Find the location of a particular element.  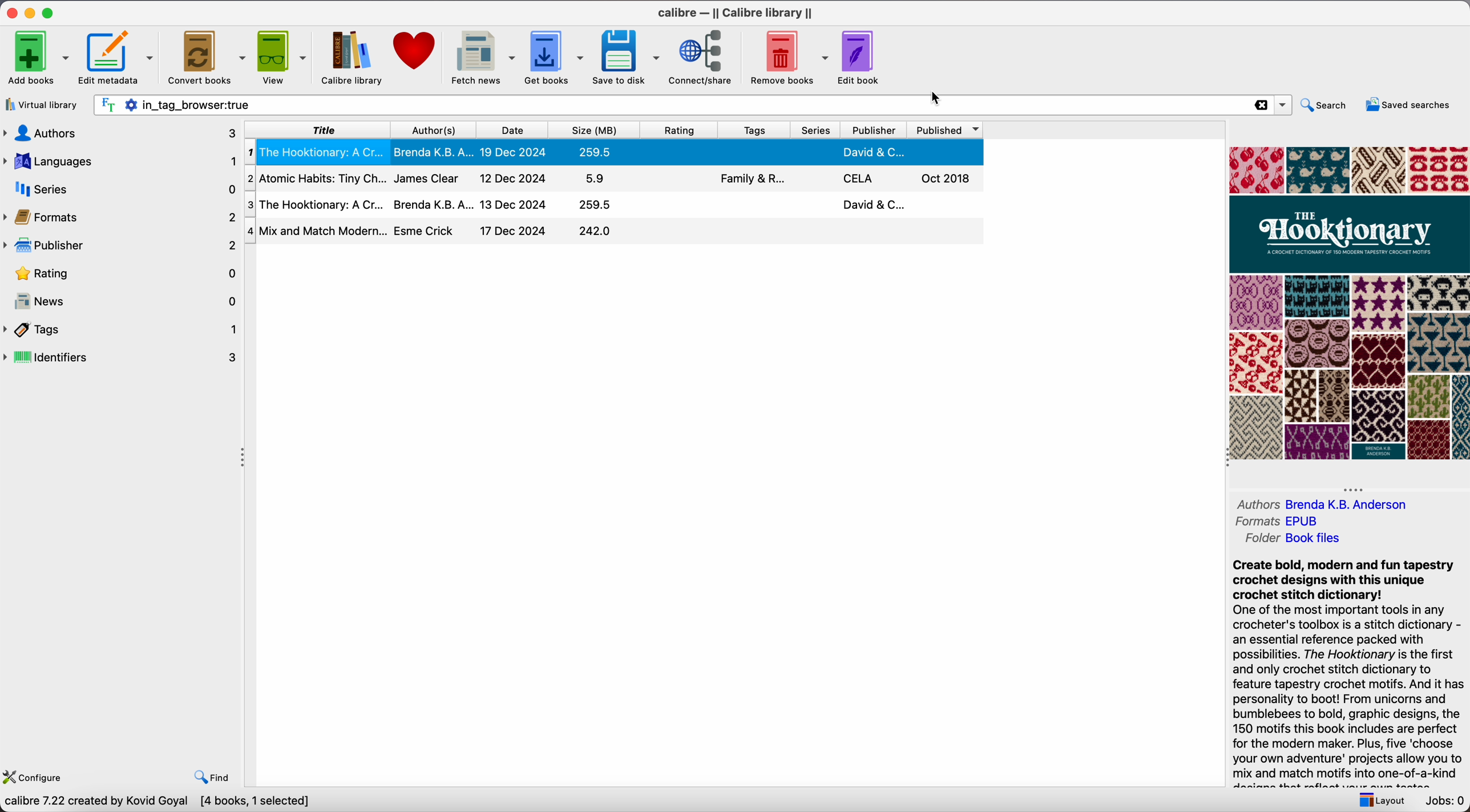

search is located at coordinates (1327, 107).